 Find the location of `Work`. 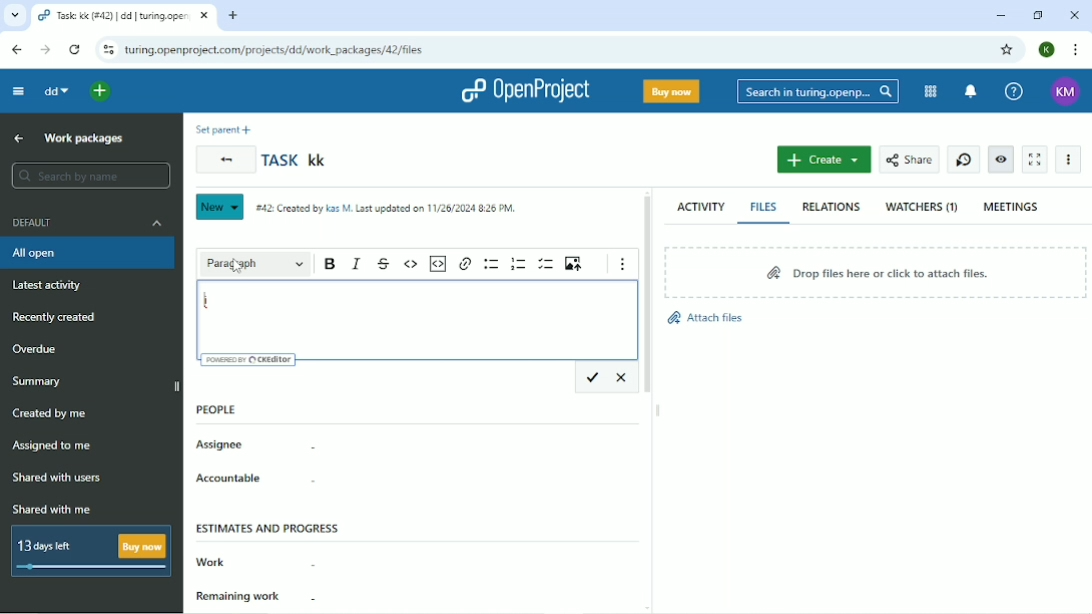

Work is located at coordinates (257, 562).